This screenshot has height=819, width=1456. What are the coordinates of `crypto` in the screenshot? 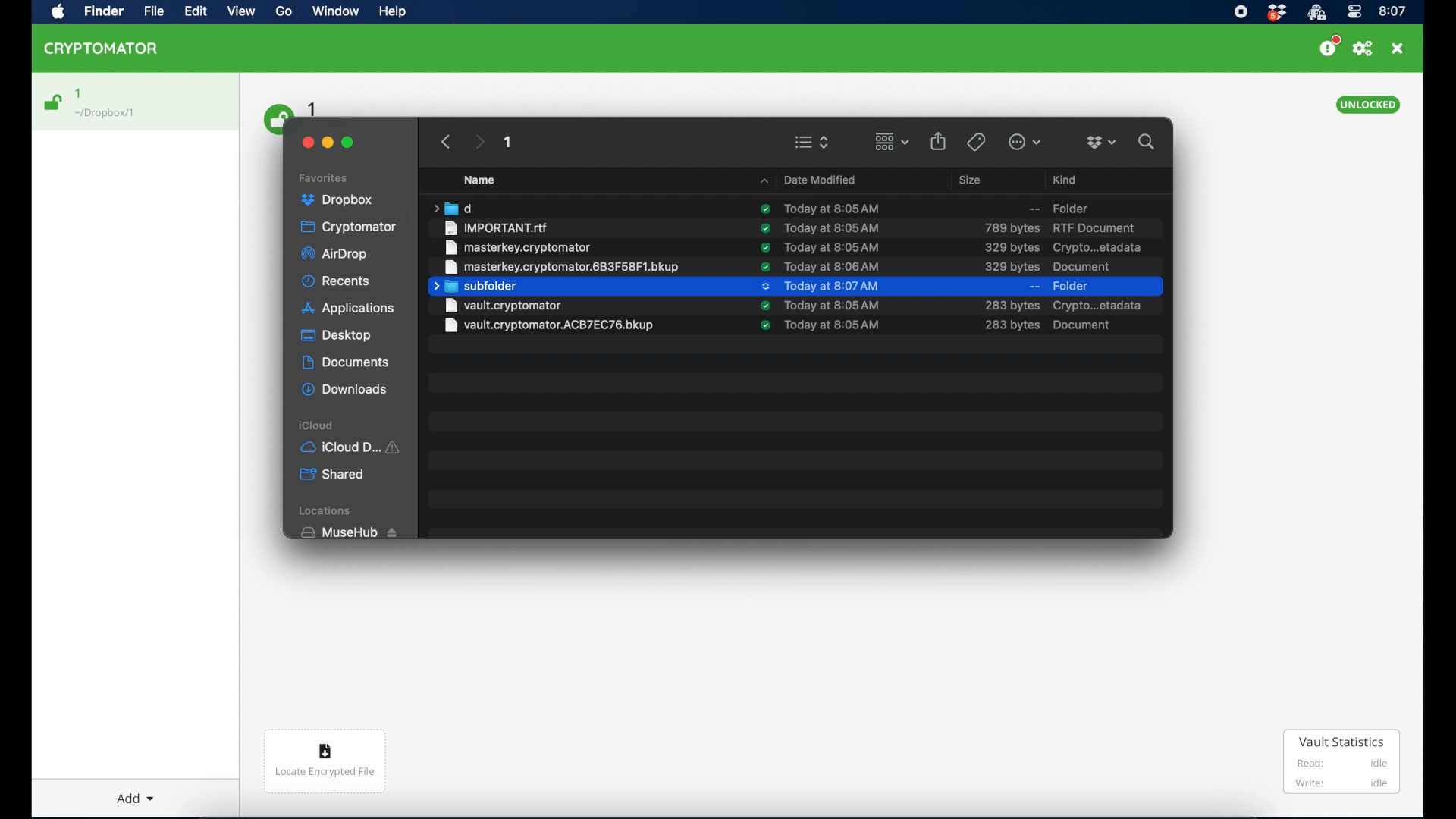 It's located at (1055, 328).